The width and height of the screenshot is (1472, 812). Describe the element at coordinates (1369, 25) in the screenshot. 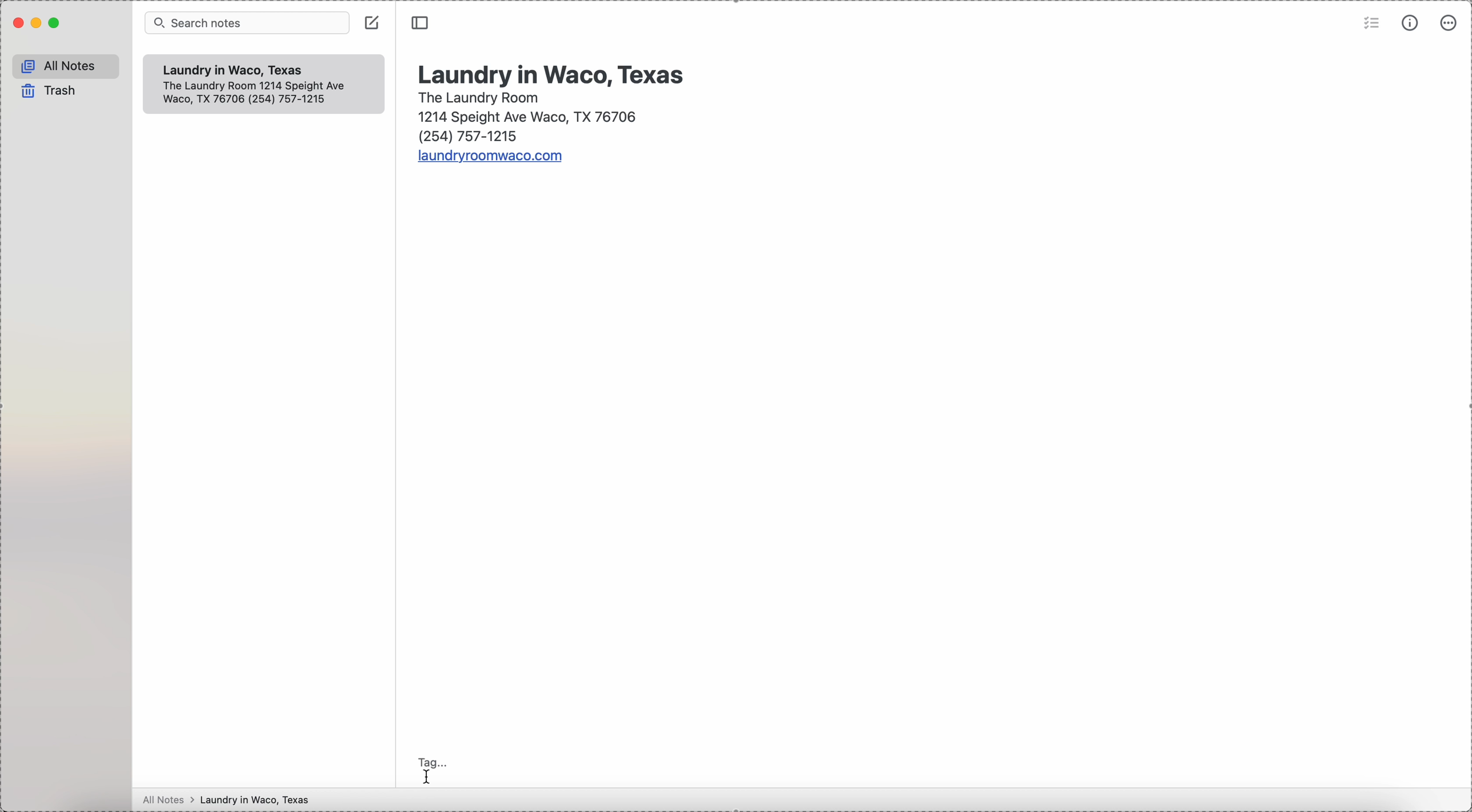

I see `check list` at that location.